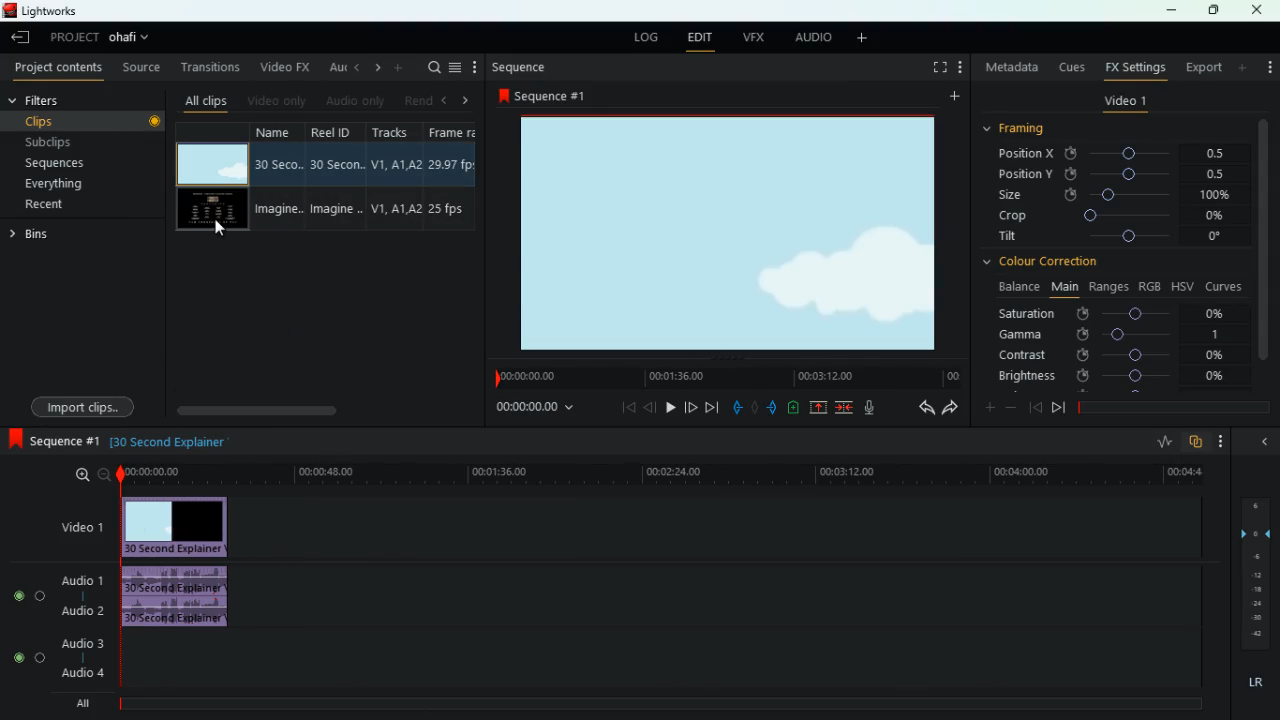 This screenshot has height=720, width=1280. I want to click on tilt, so click(1113, 238).